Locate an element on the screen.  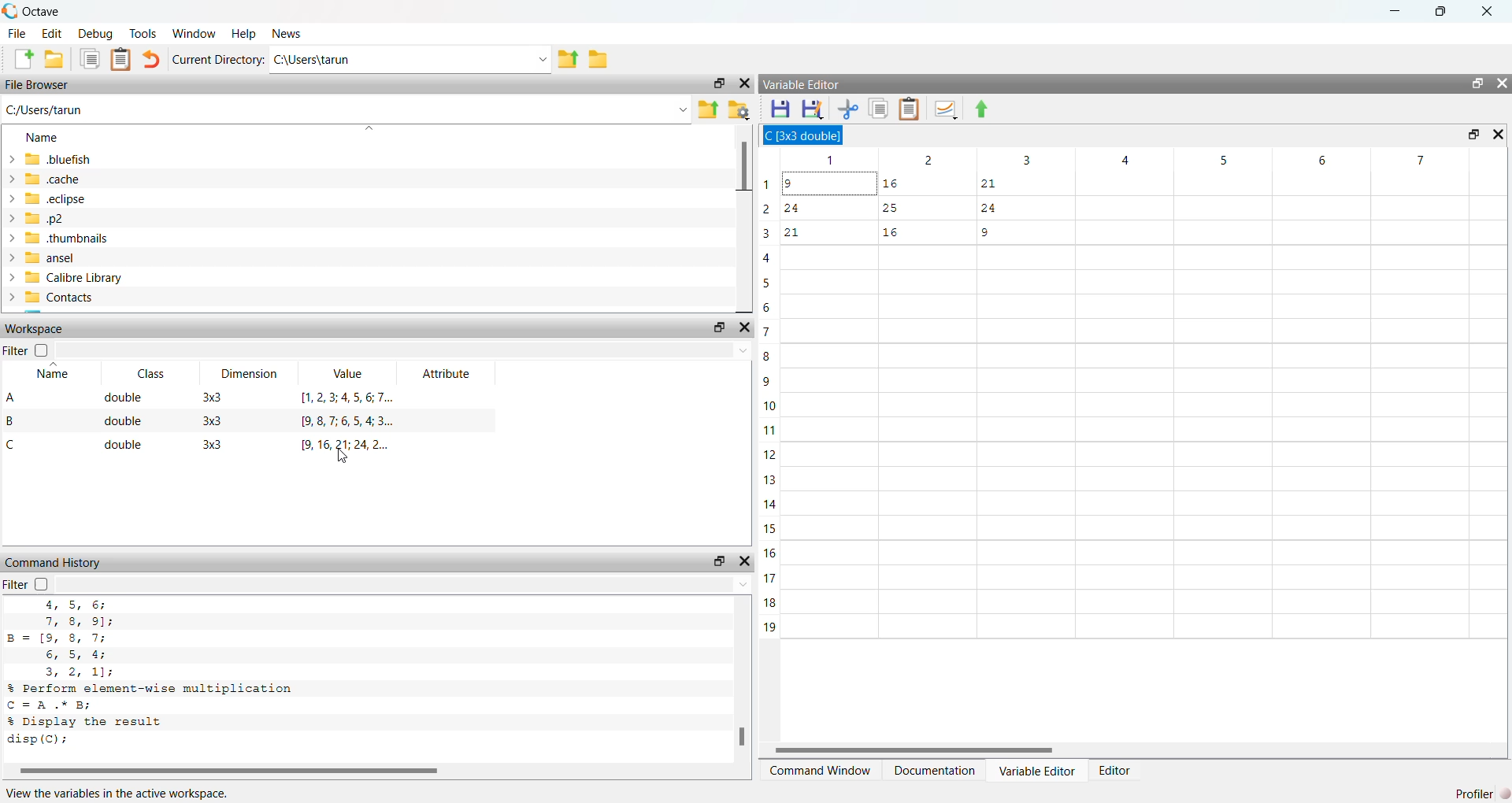
Edit is located at coordinates (52, 33).